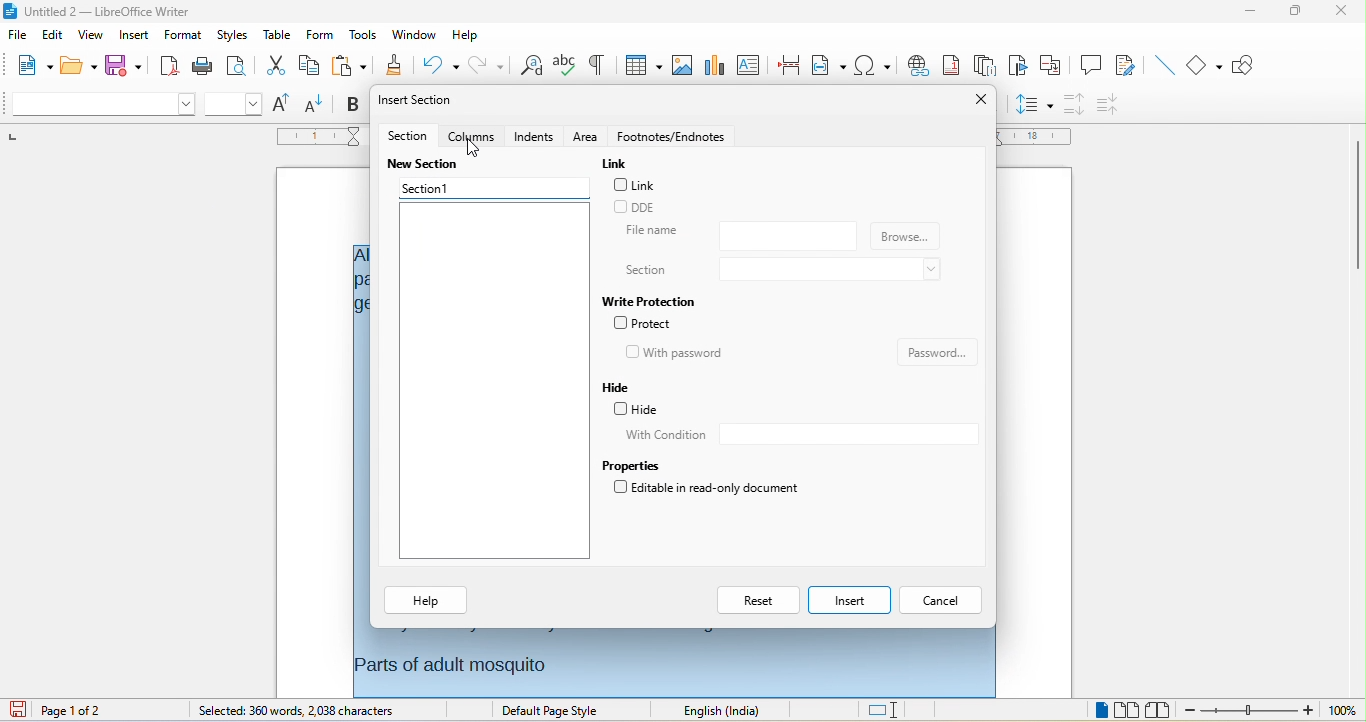 The height and width of the screenshot is (722, 1366). I want to click on image, so click(683, 64).